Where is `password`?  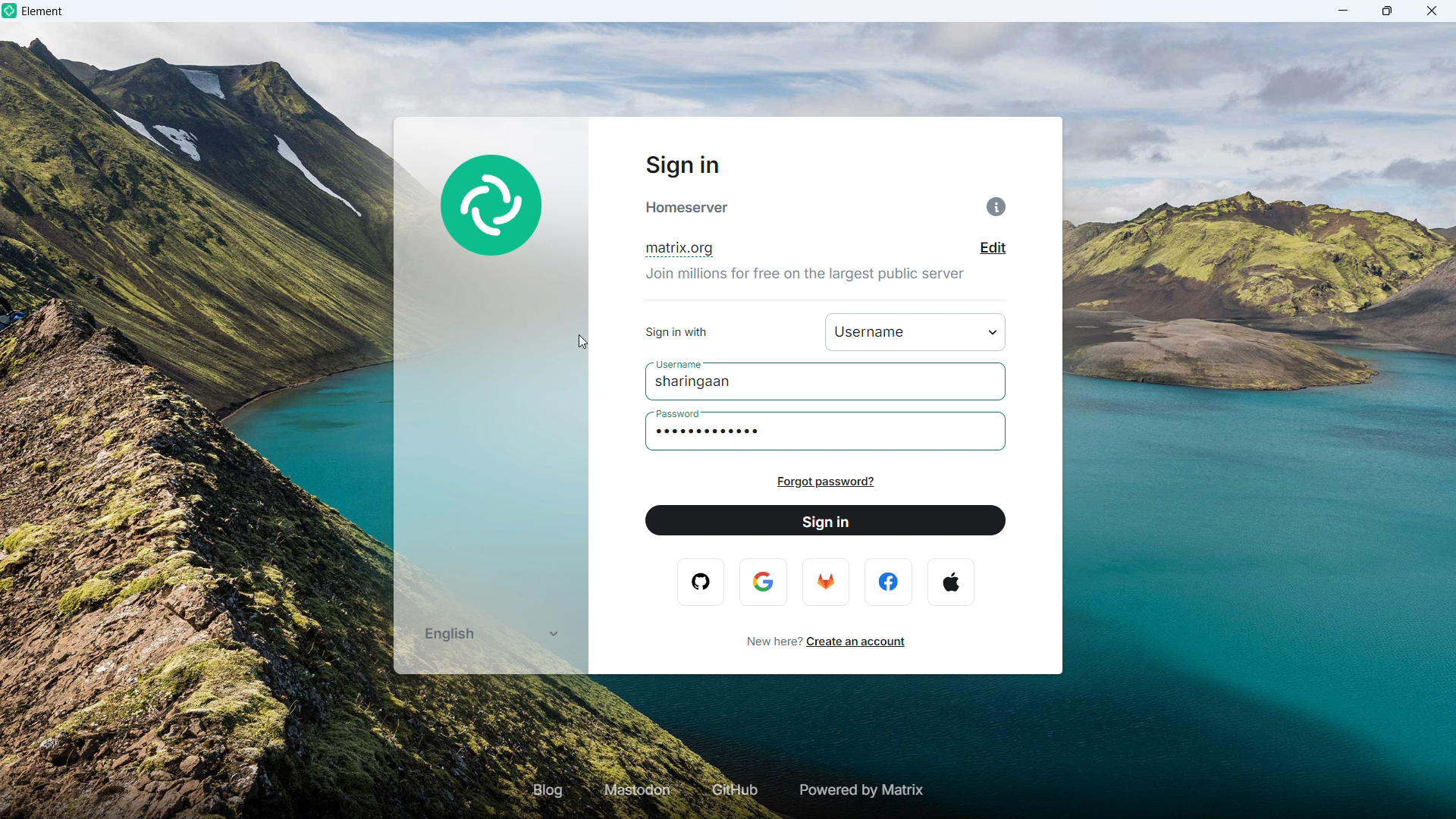 password is located at coordinates (700, 413).